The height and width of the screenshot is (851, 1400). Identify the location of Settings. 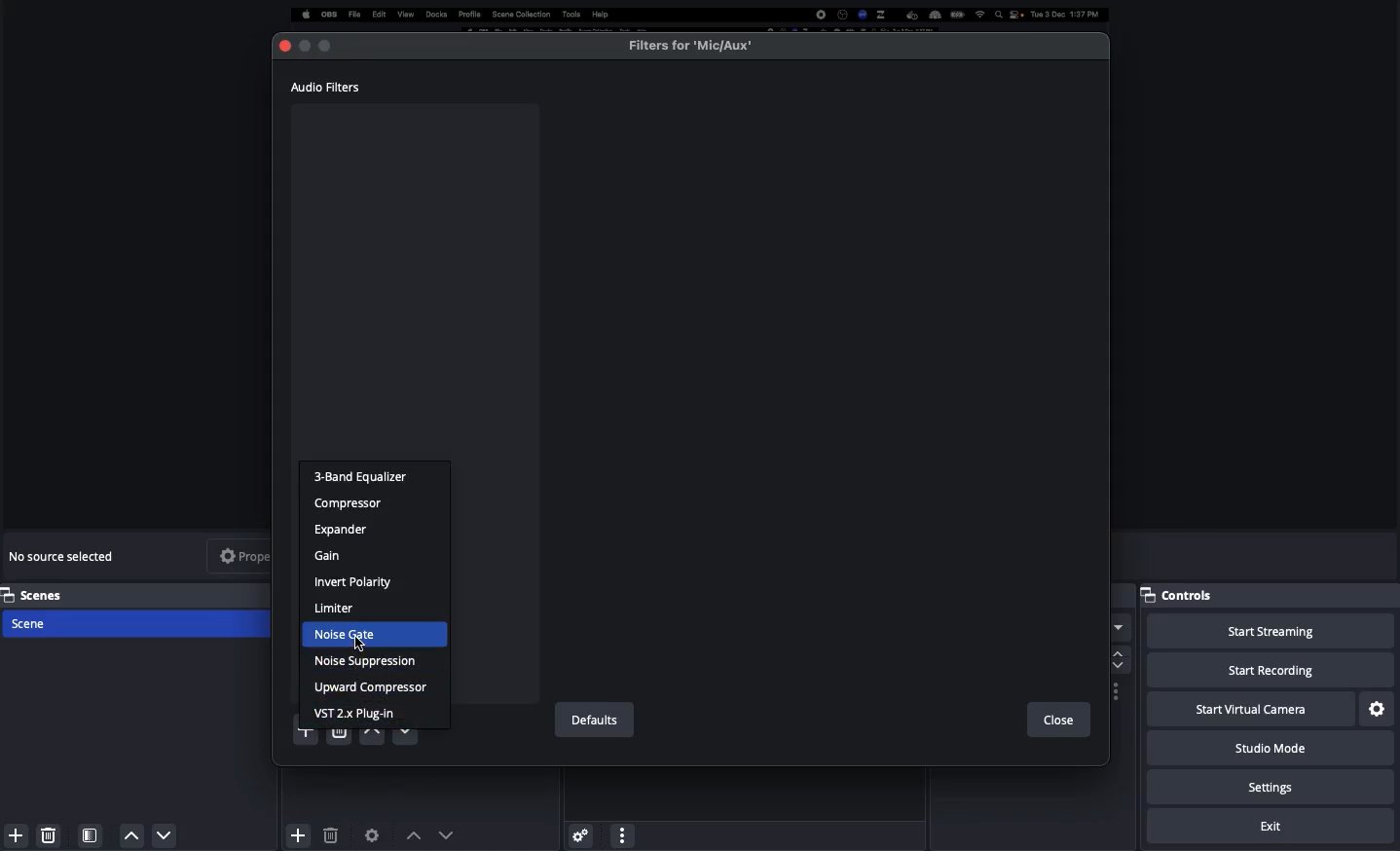
(1273, 788).